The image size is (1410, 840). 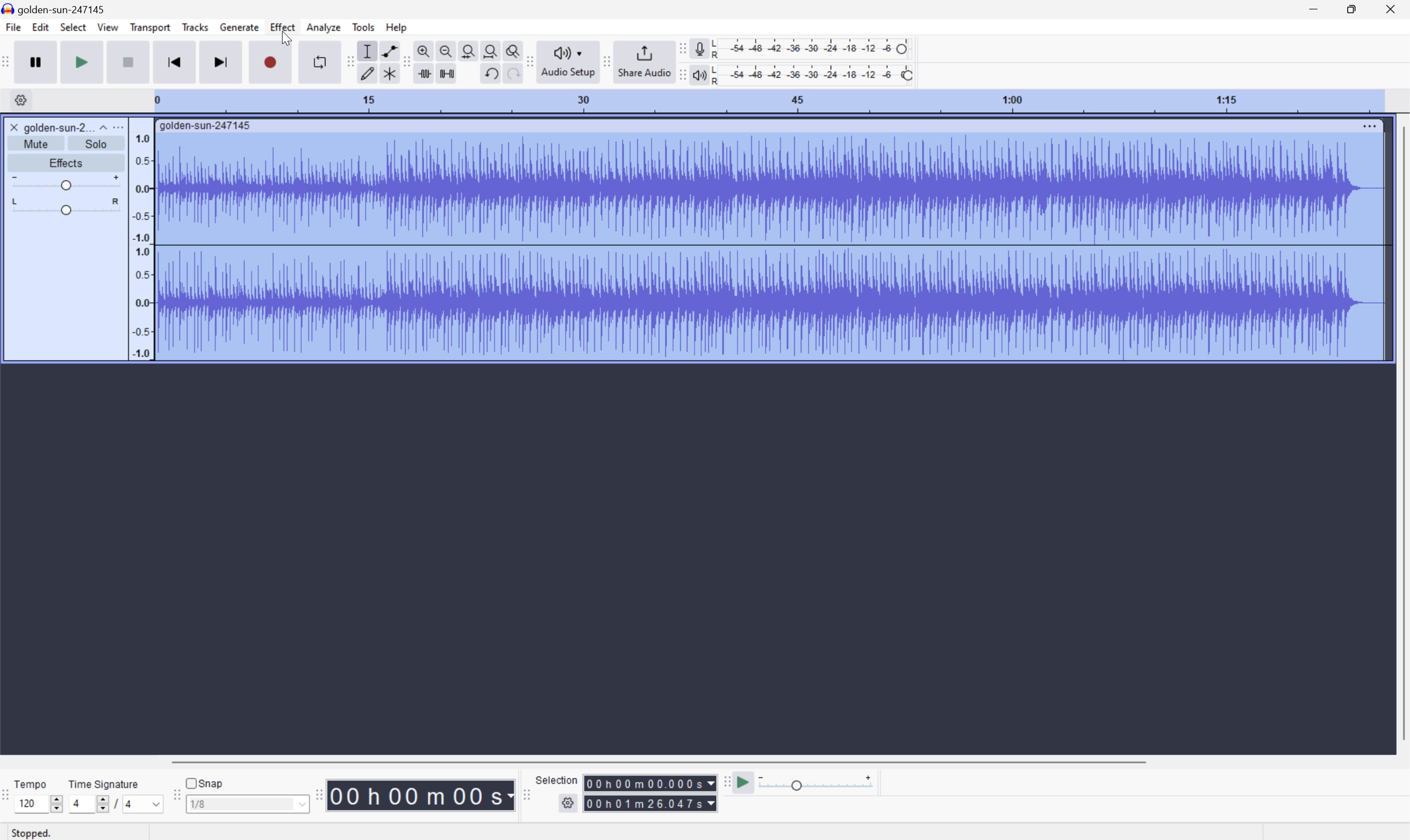 What do you see at coordinates (650, 803) in the screenshot?
I see `Selection` at bounding box center [650, 803].